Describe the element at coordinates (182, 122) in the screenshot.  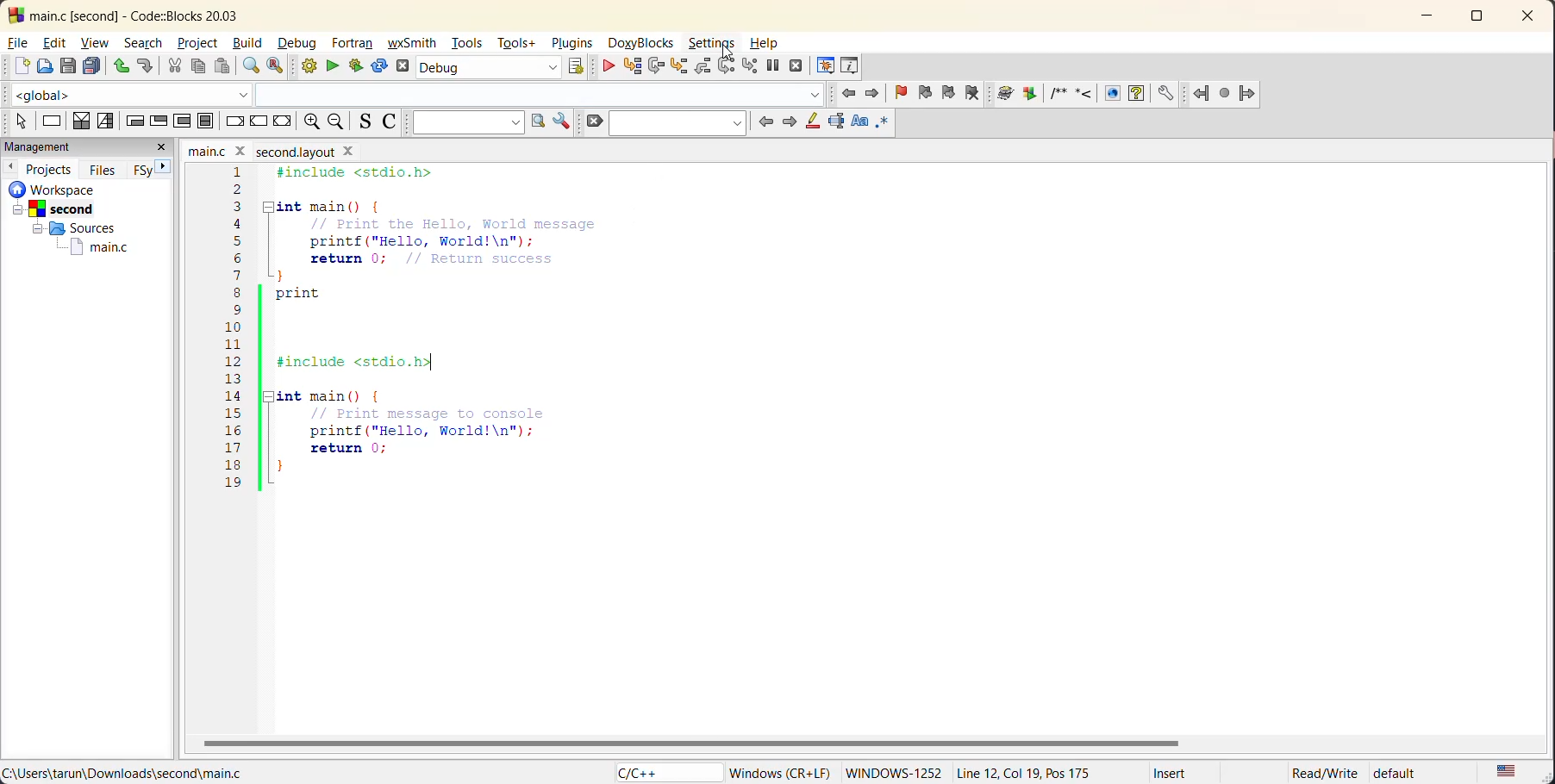
I see `counting loop` at that location.